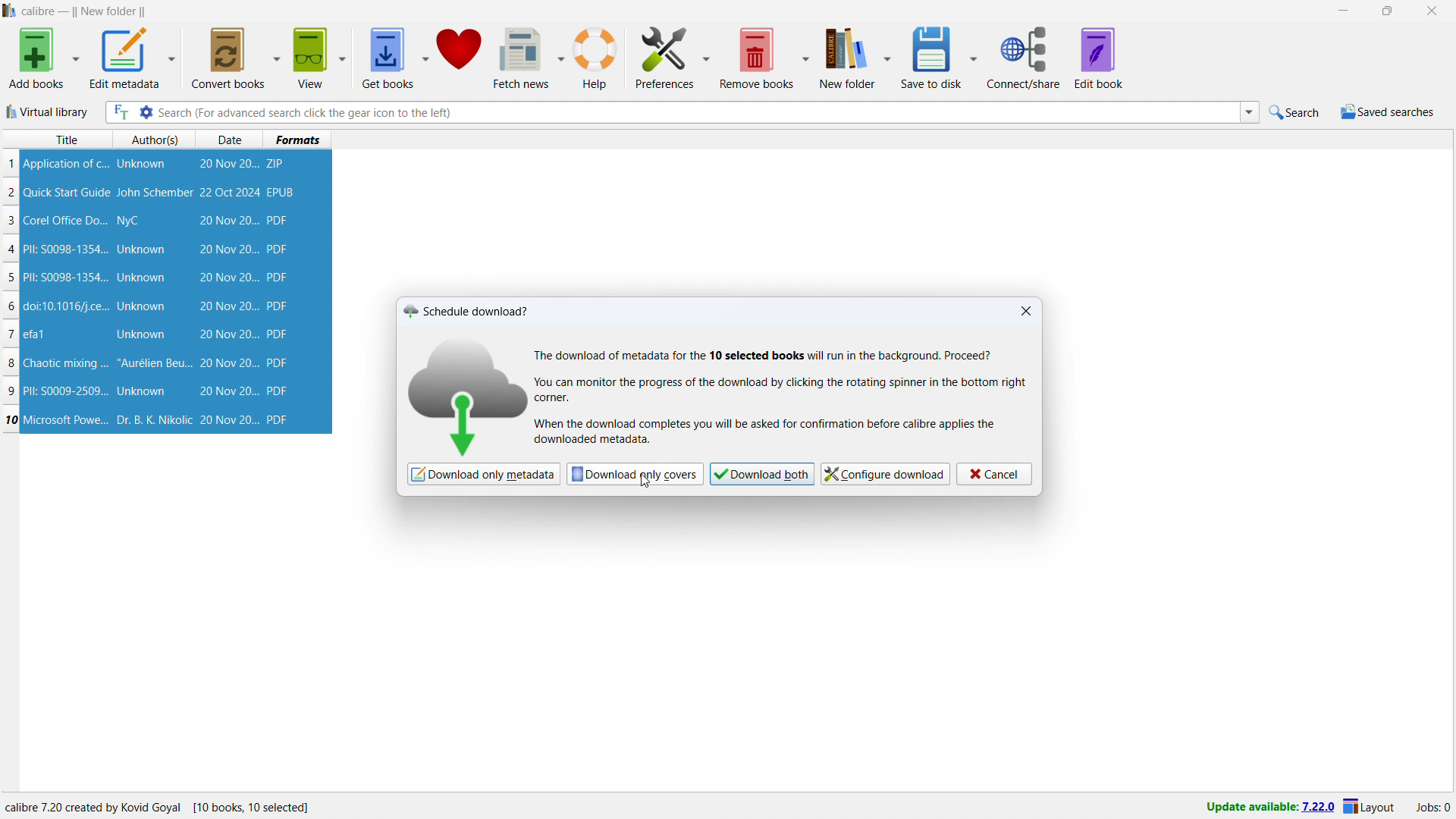  What do you see at coordinates (310, 58) in the screenshot?
I see `view` at bounding box center [310, 58].